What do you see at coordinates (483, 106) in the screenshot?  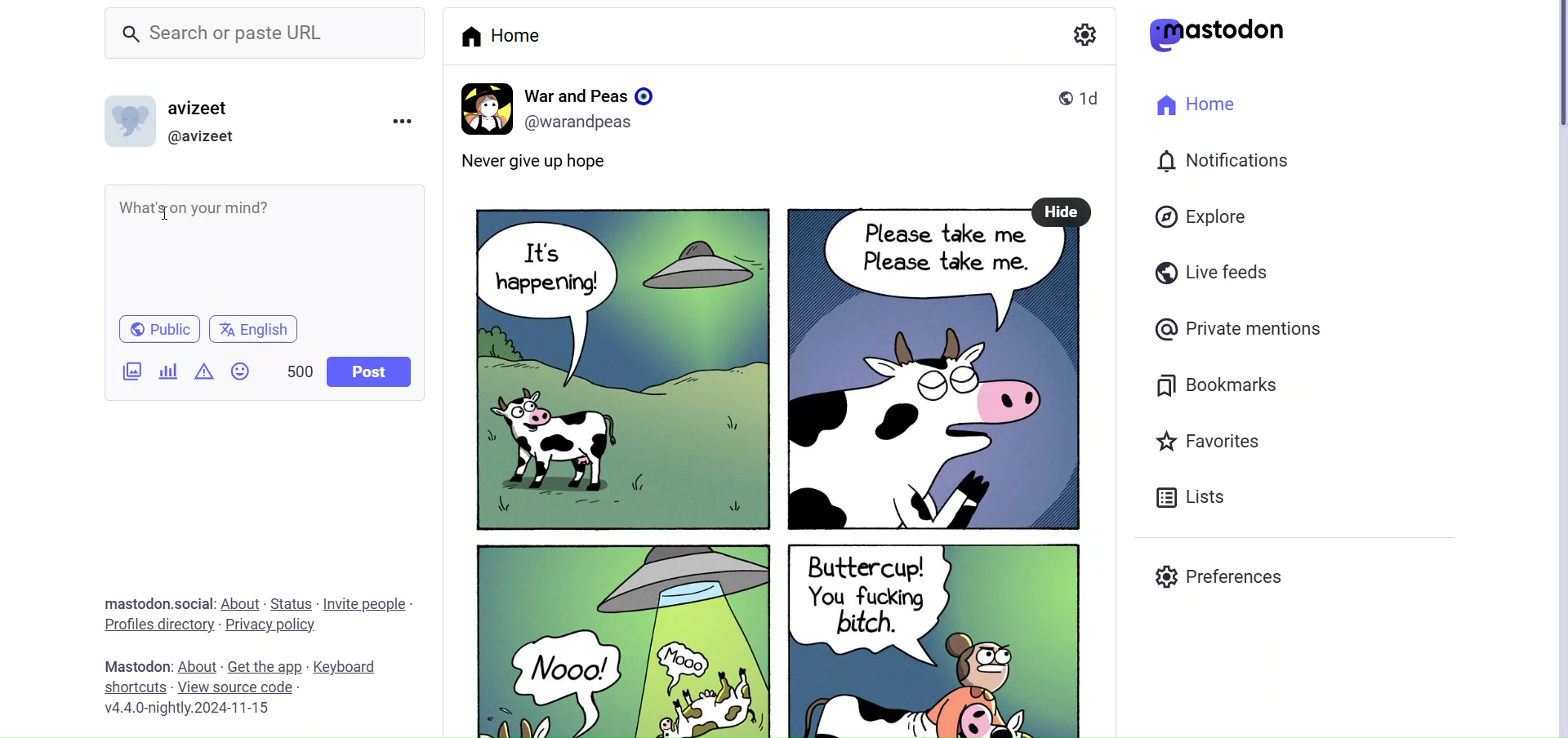 I see `profile Picture` at bounding box center [483, 106].